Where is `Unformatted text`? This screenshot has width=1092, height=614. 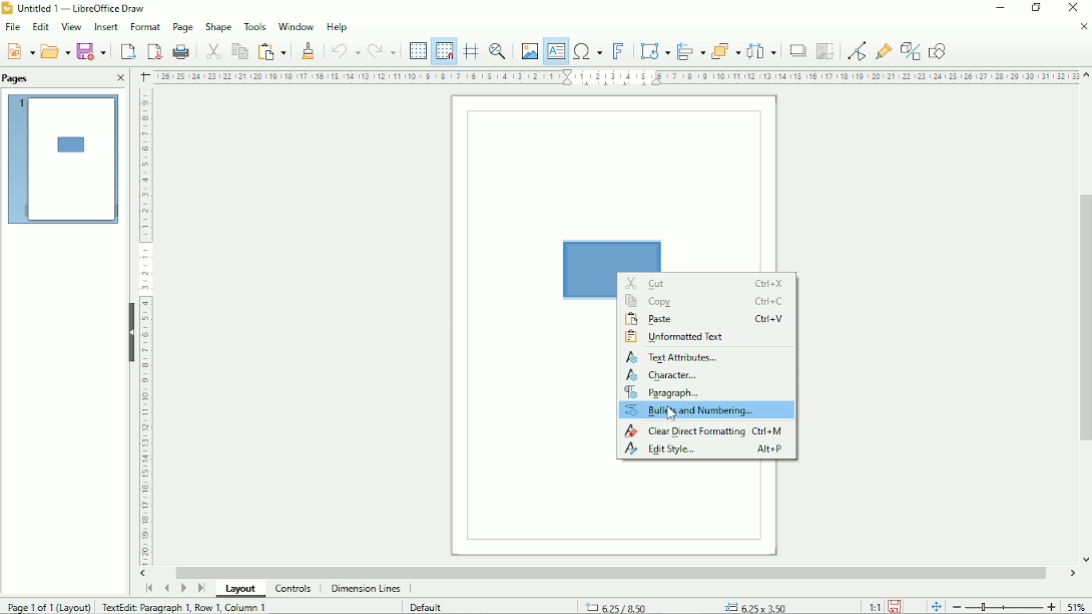 Unformatted text is located at coordinates (678, 339).